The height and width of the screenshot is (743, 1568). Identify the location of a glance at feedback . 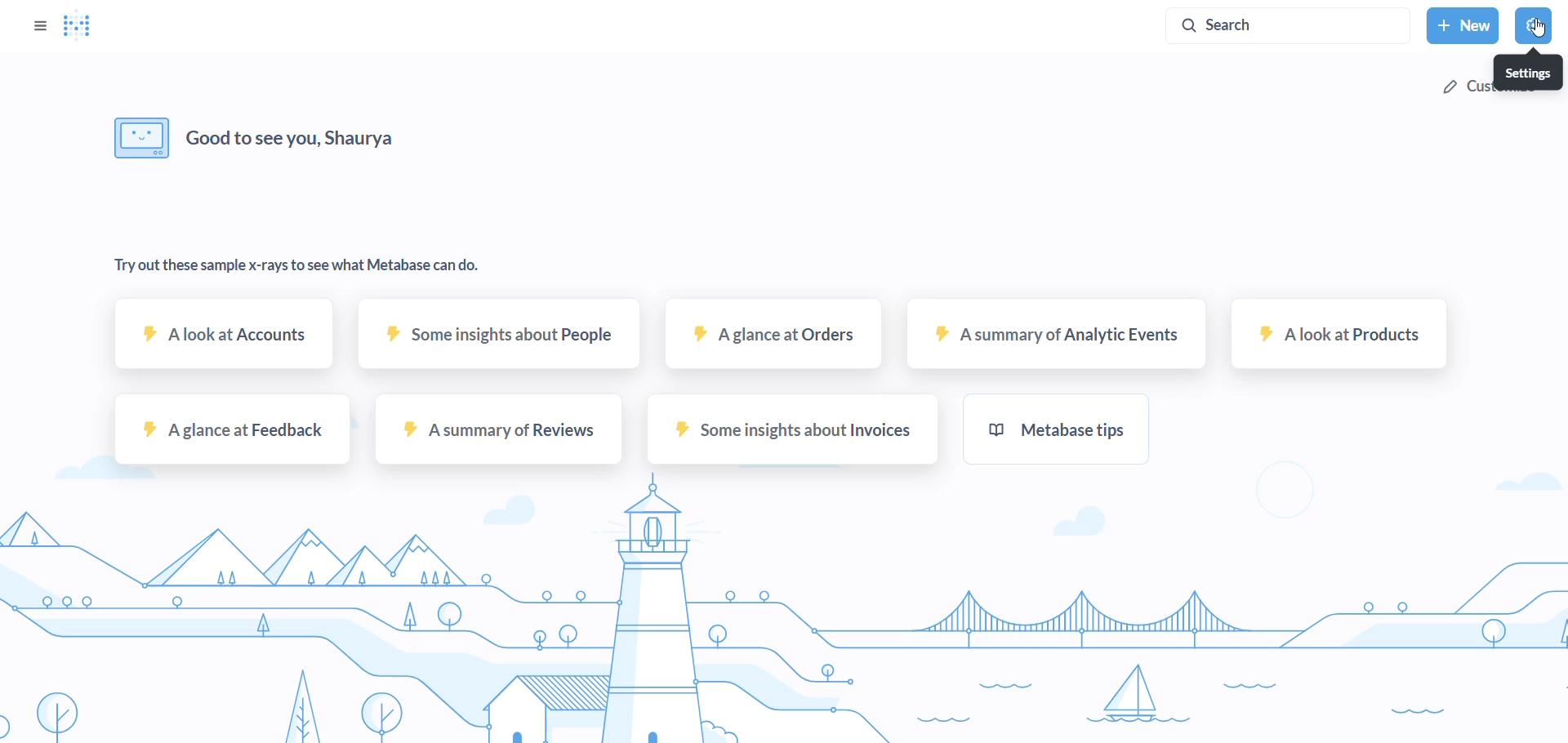
(229, 434).